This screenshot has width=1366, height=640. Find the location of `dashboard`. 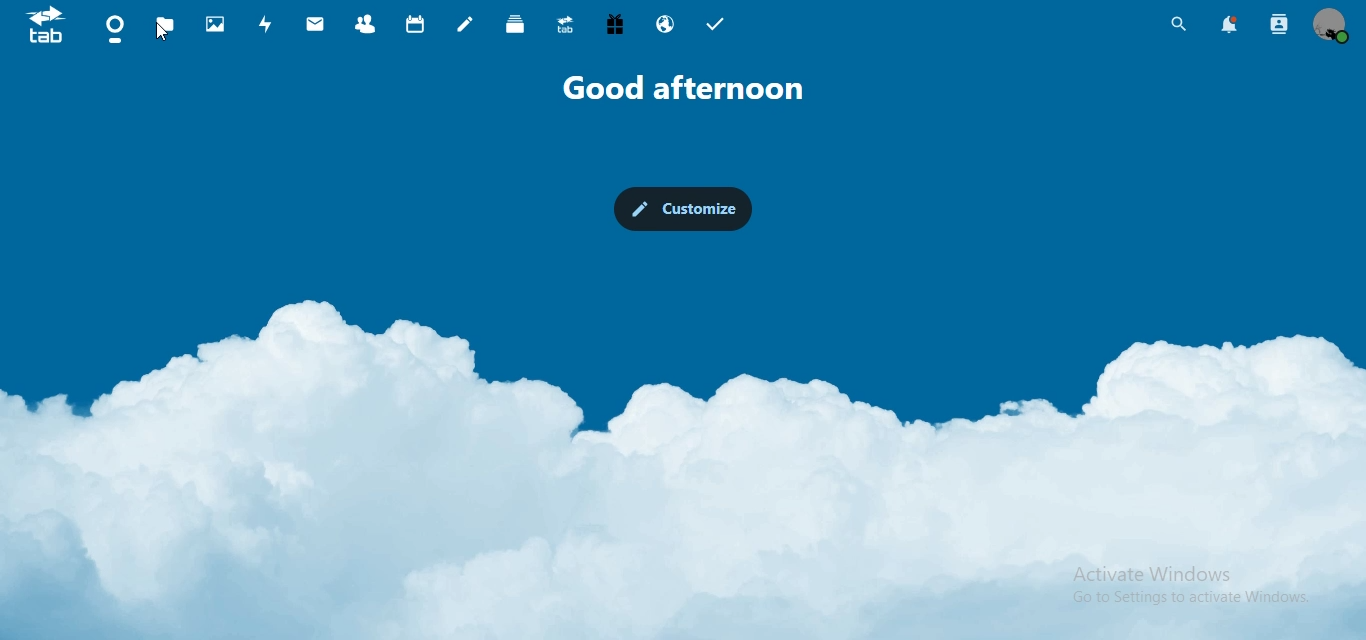

dashboard is located at coordinates (114, 29).